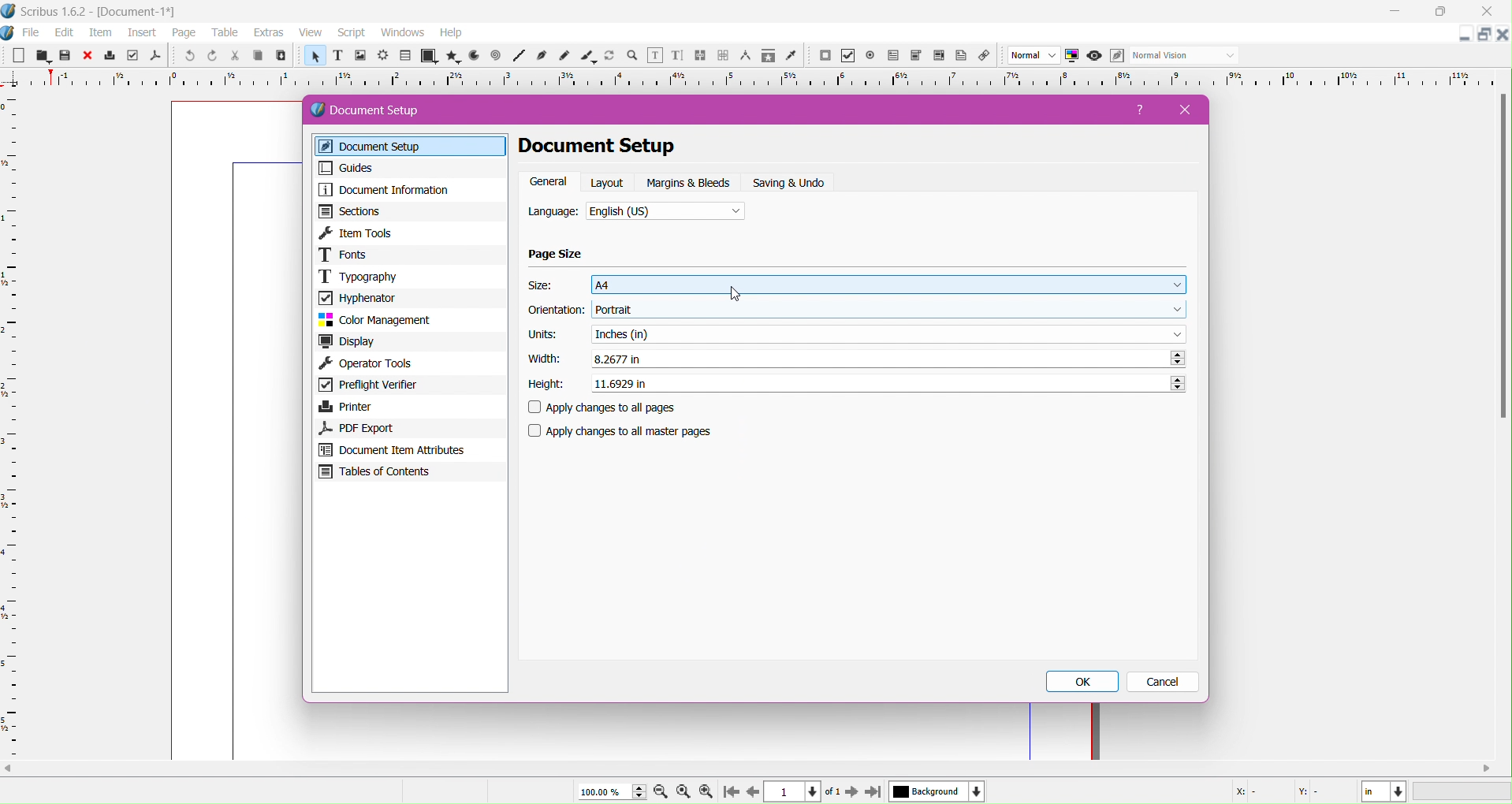  Describe the element at coordinates (9, 11) in the screenshot. I see `app icon` at that location.